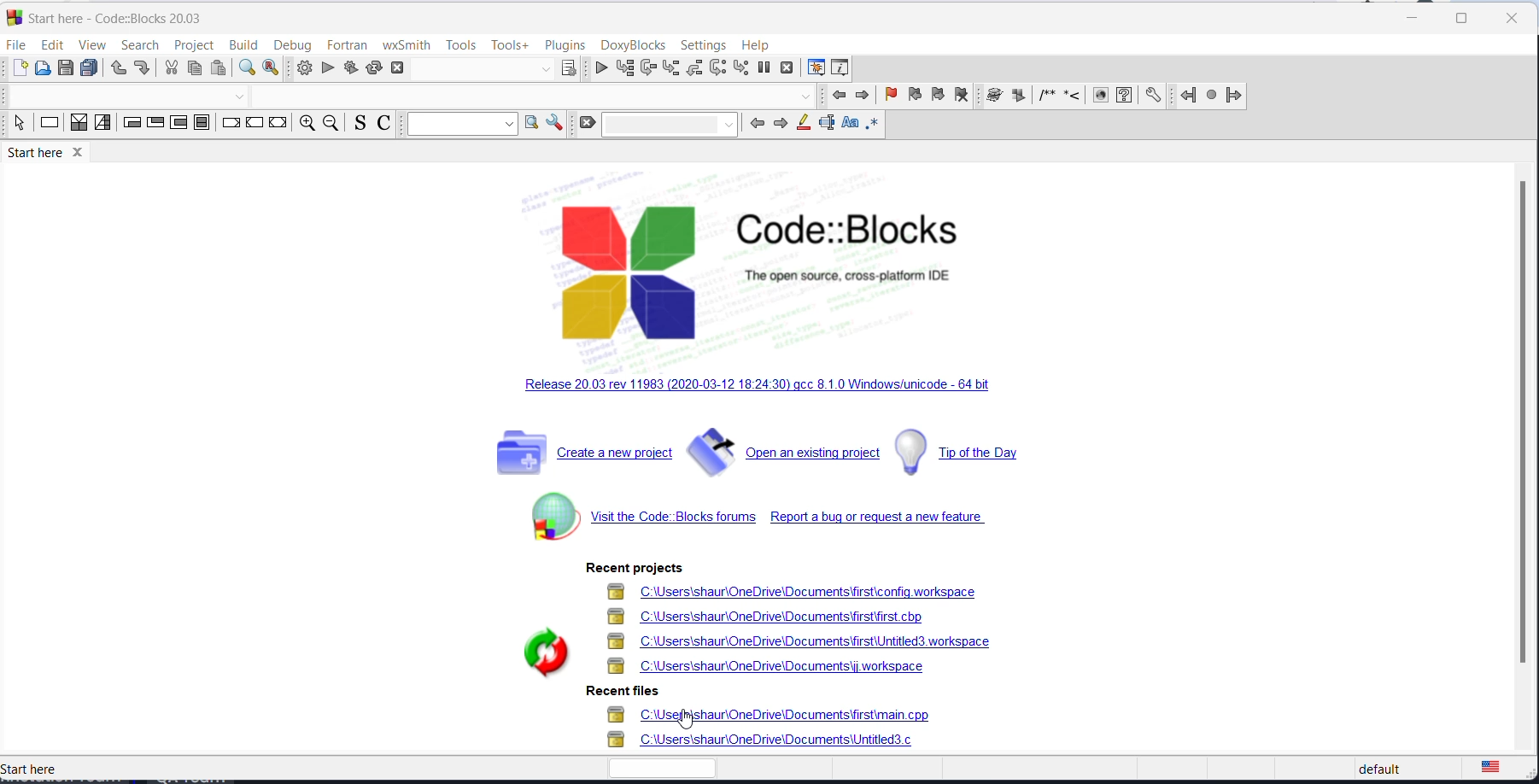  Describe the element at coordinates (303, 69) in the screenshot. I see `BUILD` at that location.